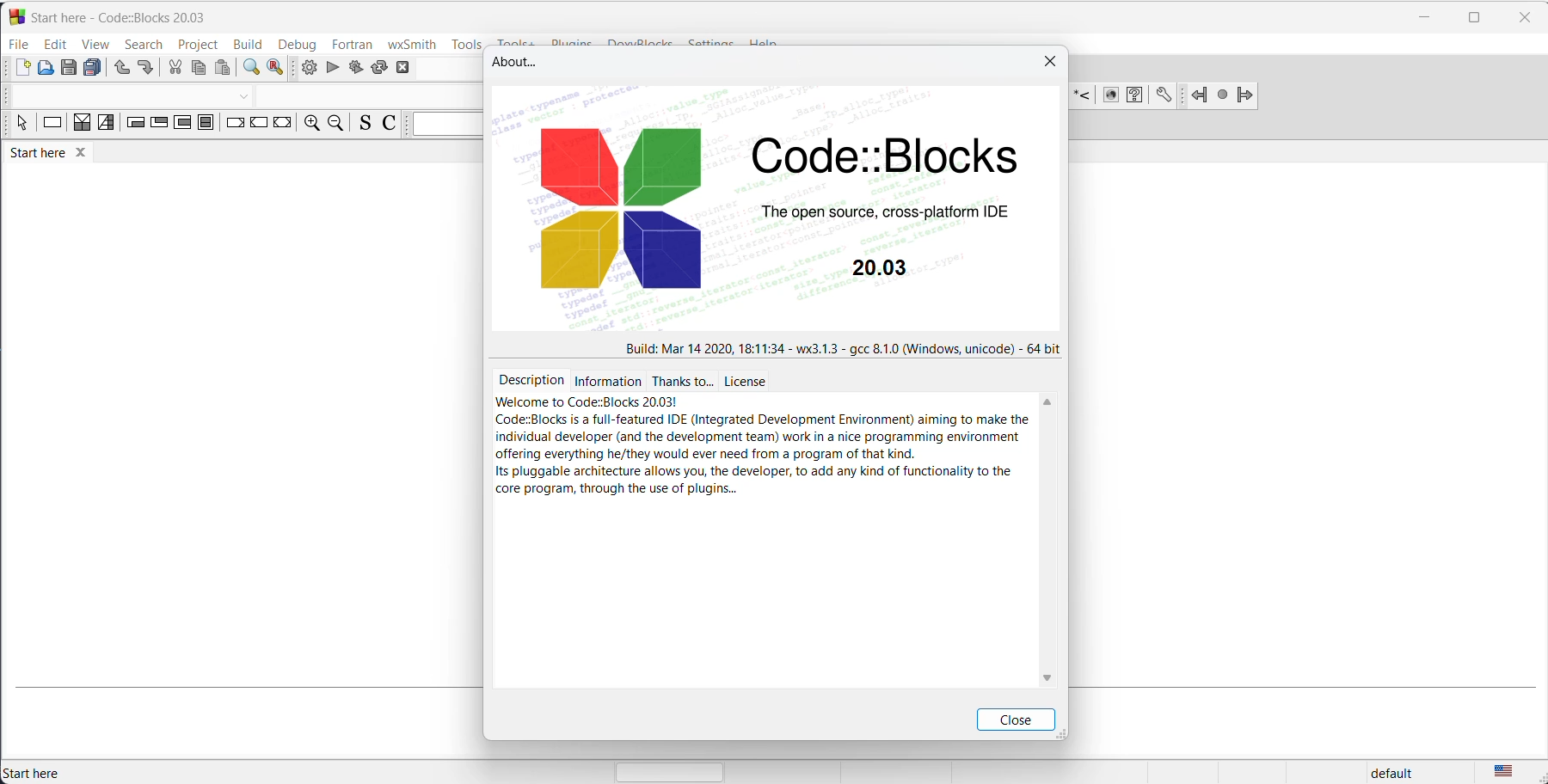 The height and width of the screenshot is (784, 1548). Describe the element at coordinates (243, 95) in the screenshot. I see `dropdown` at that location.